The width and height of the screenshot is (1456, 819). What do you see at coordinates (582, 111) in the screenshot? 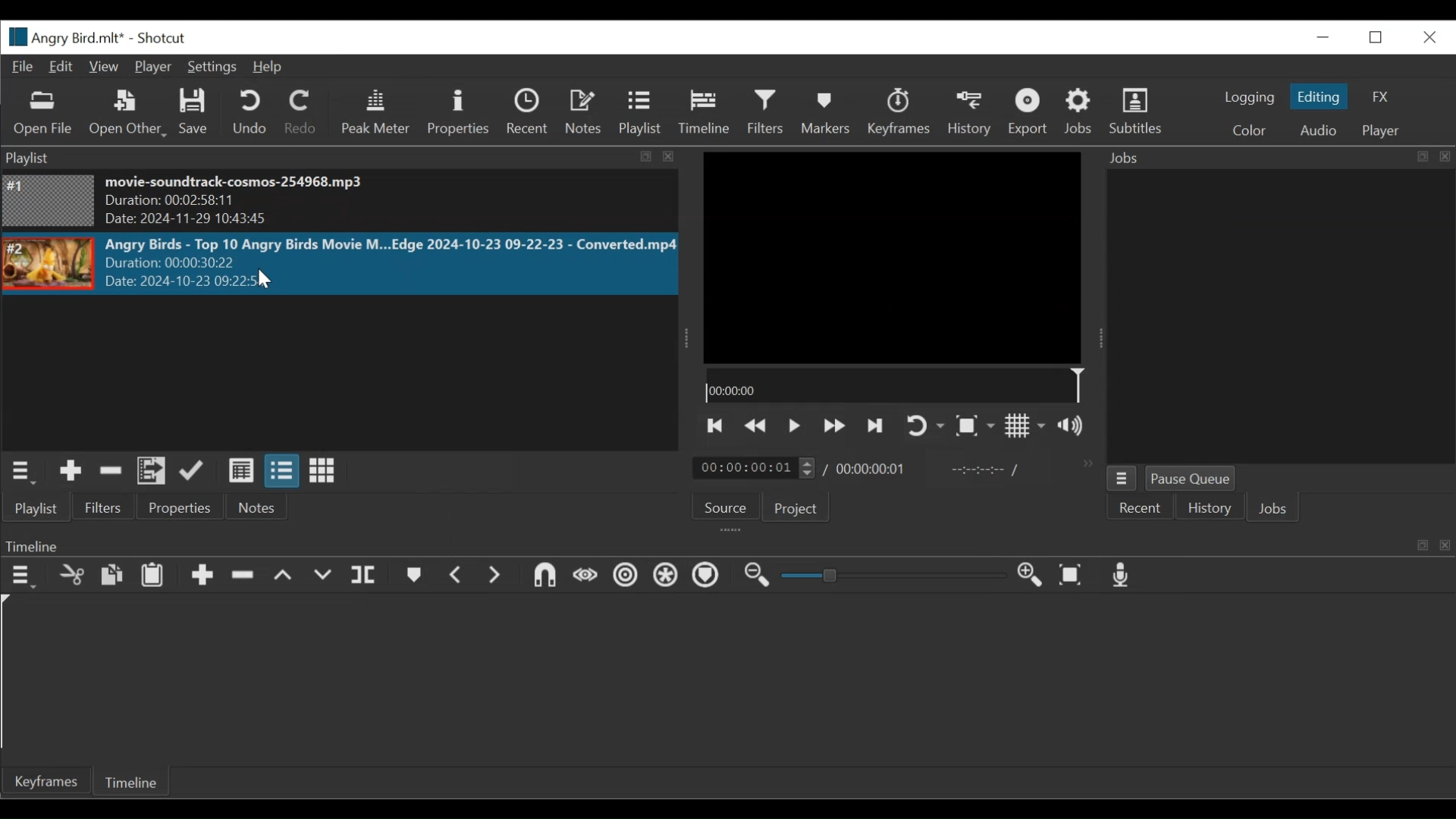
I see `Notes` at bounding box center [582, 111].